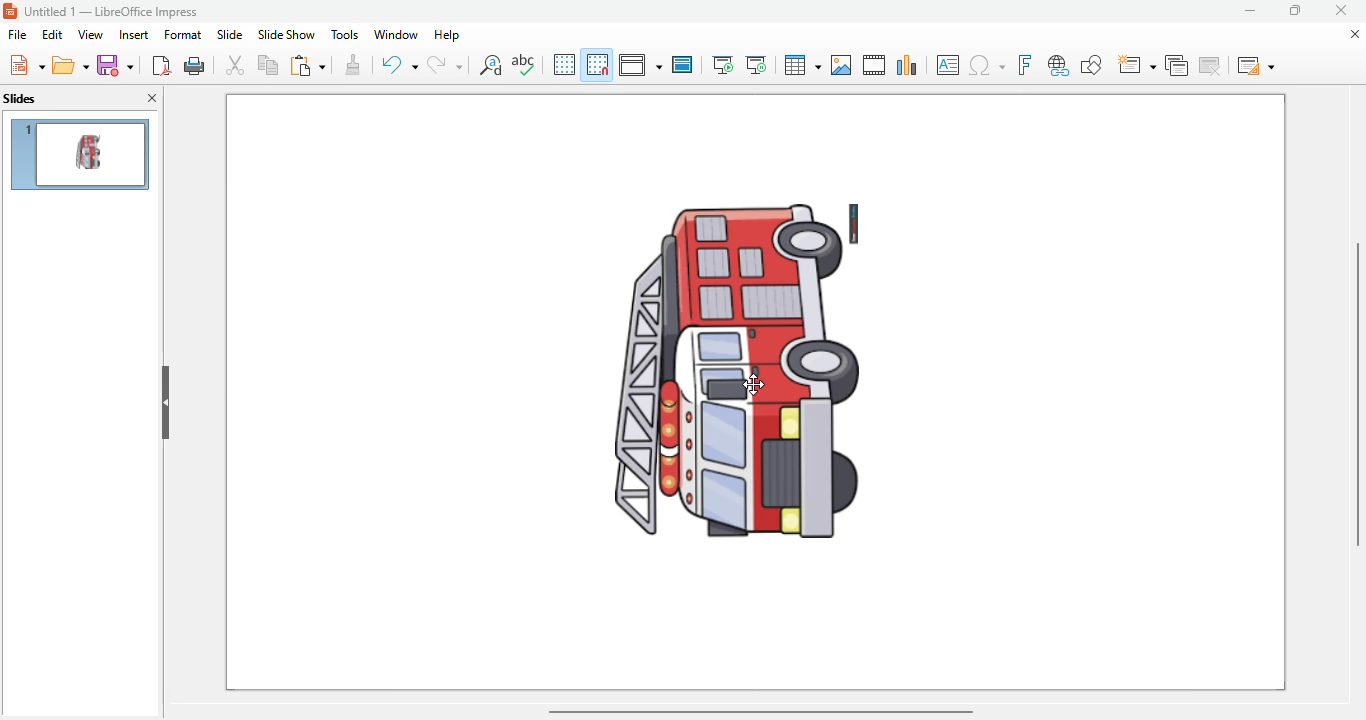 This screenshot has height=720, width=1366. Describe the element at coordinates (947, 65) in the screenshot. I see `insert text box` at that location.